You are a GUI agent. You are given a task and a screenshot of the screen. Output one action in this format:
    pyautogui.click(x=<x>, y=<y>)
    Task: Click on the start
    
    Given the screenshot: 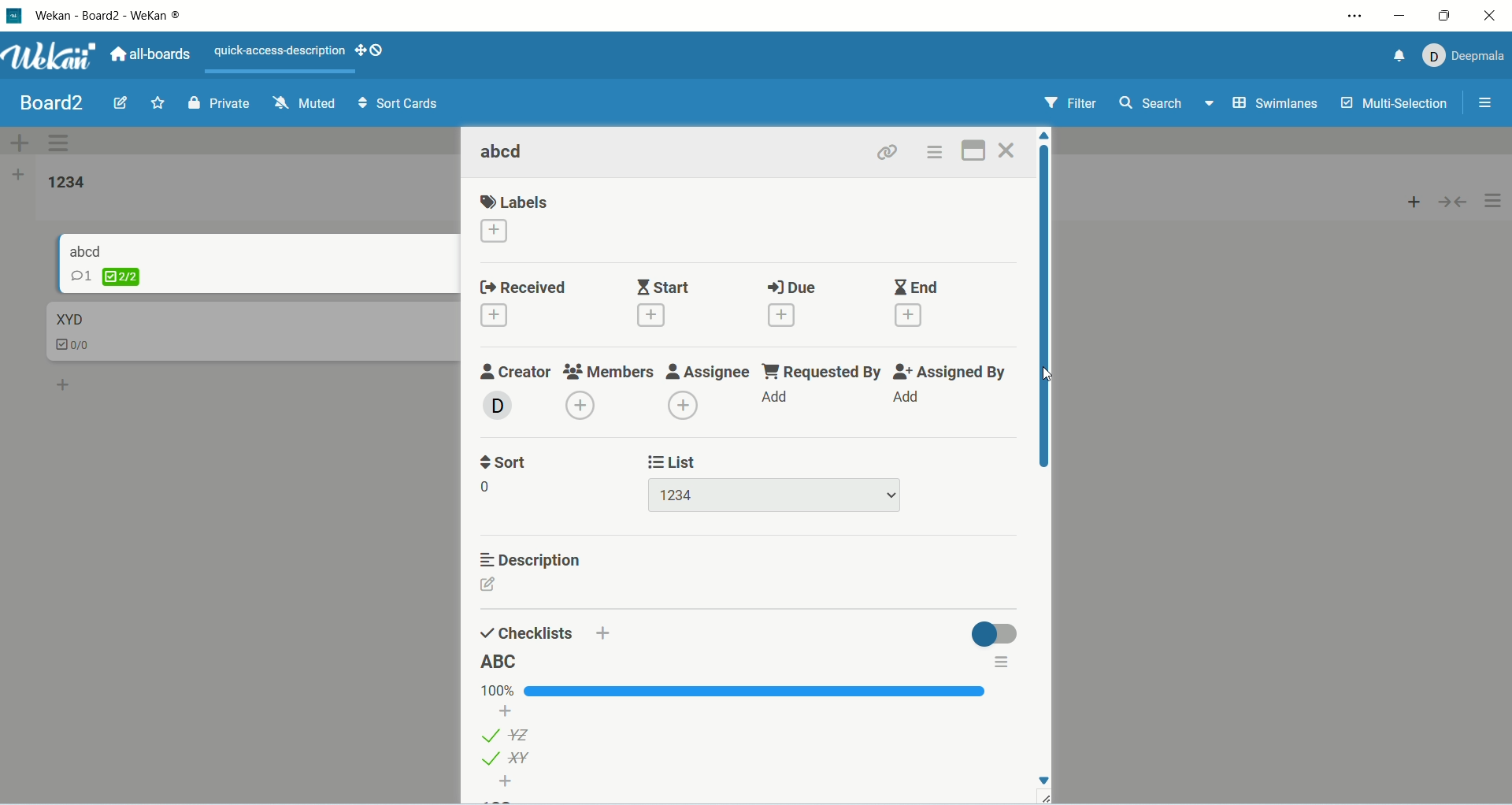 What is the action you would take?
    pyautogui.click(x=664, y=286)
    